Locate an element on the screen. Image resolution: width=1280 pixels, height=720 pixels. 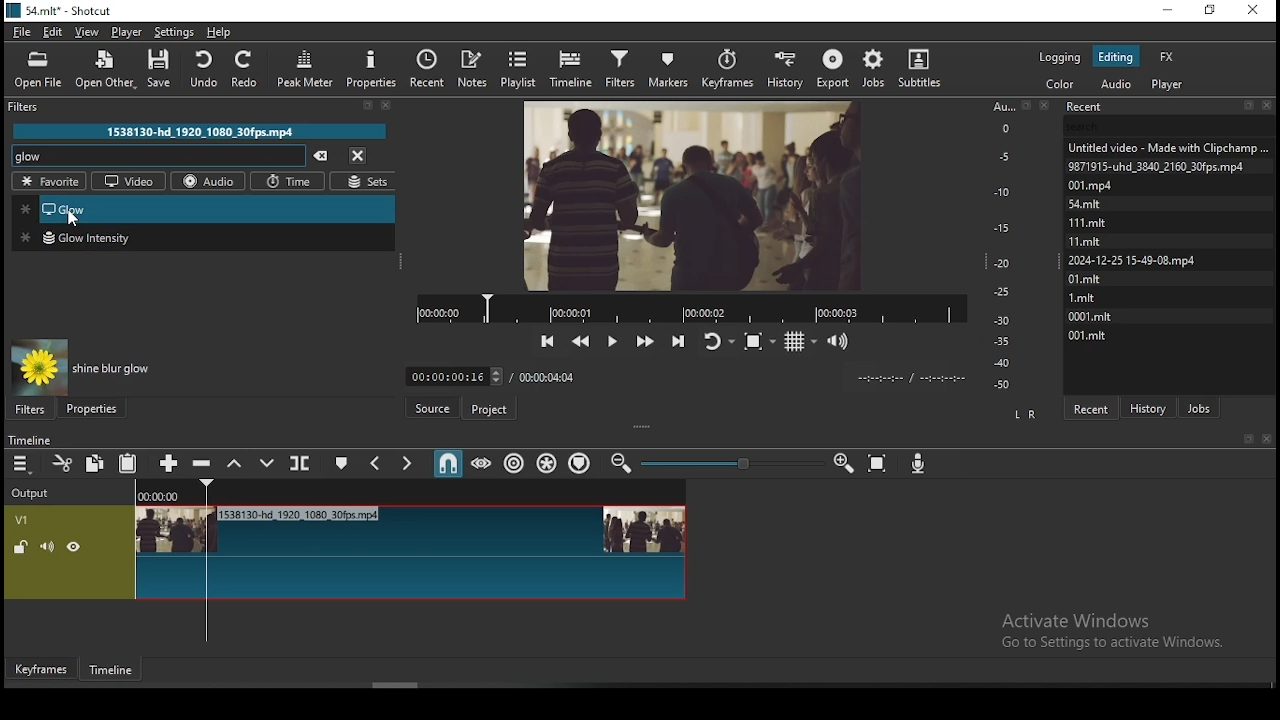
playlist is located at coordinates (523, 67).